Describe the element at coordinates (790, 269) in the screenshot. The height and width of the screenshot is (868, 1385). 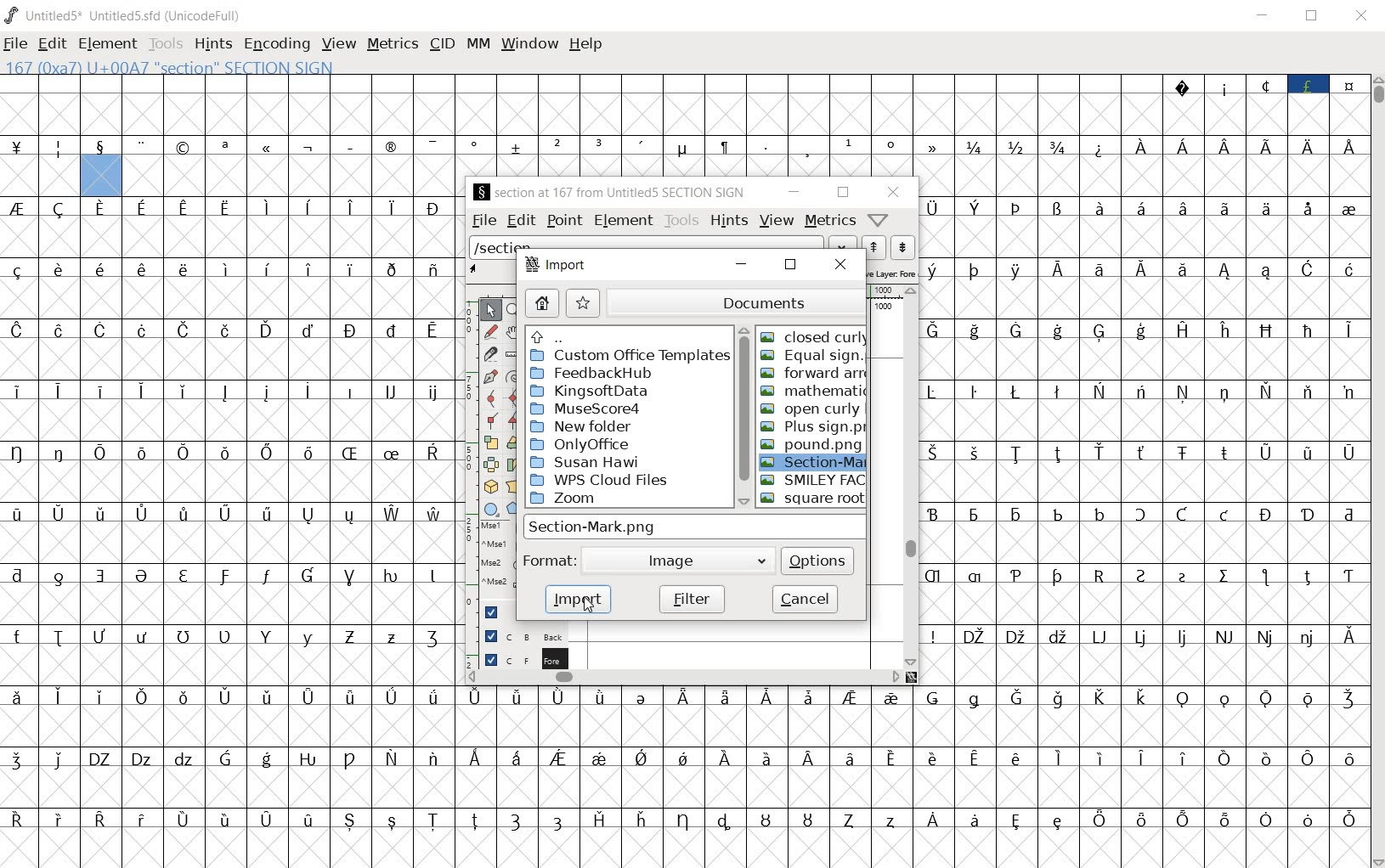
I see `restore` at that location.